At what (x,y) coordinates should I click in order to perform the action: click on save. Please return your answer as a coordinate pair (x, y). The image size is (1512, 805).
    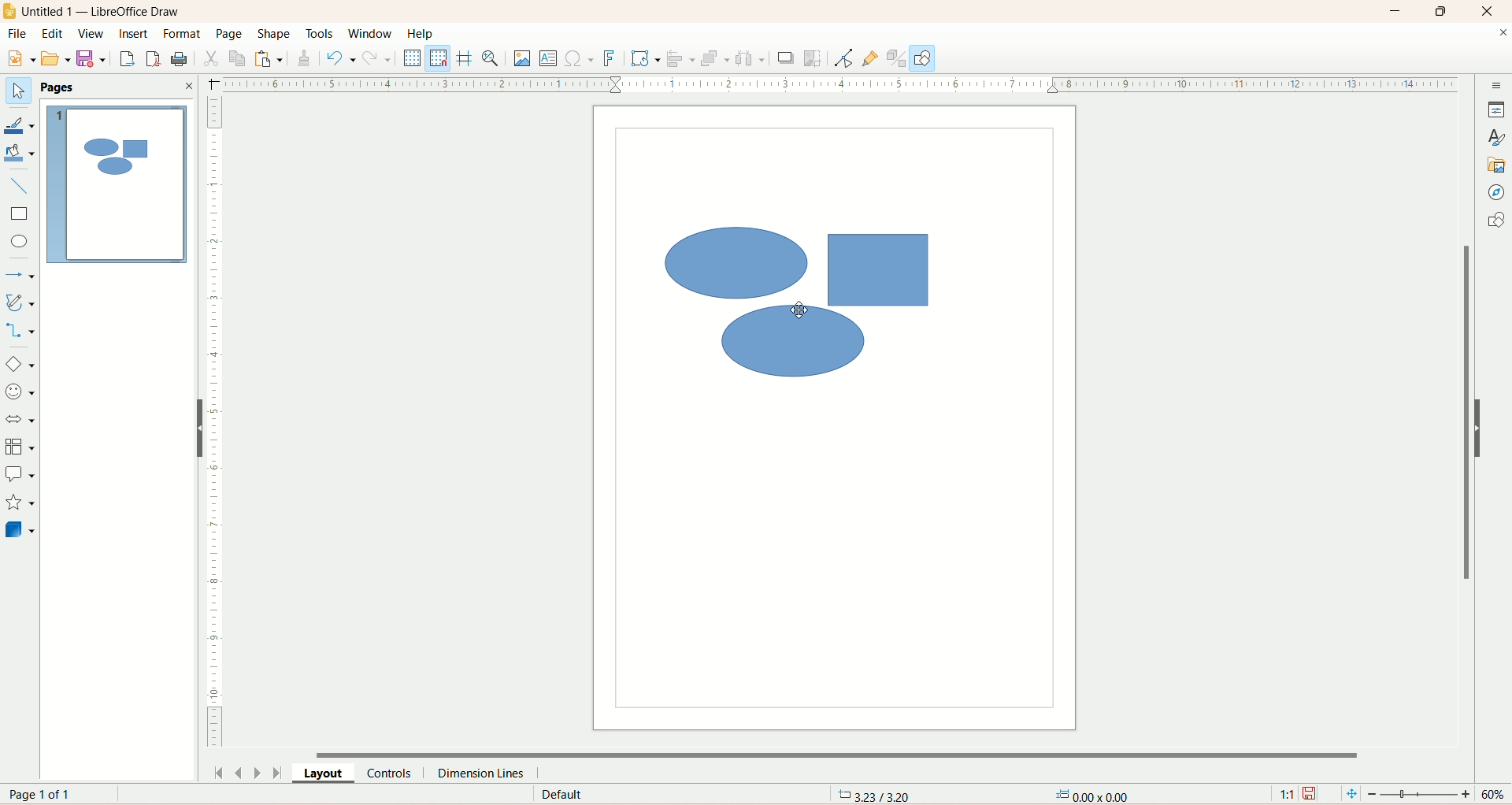
    Looking at the image, I should click on (1313, 794).